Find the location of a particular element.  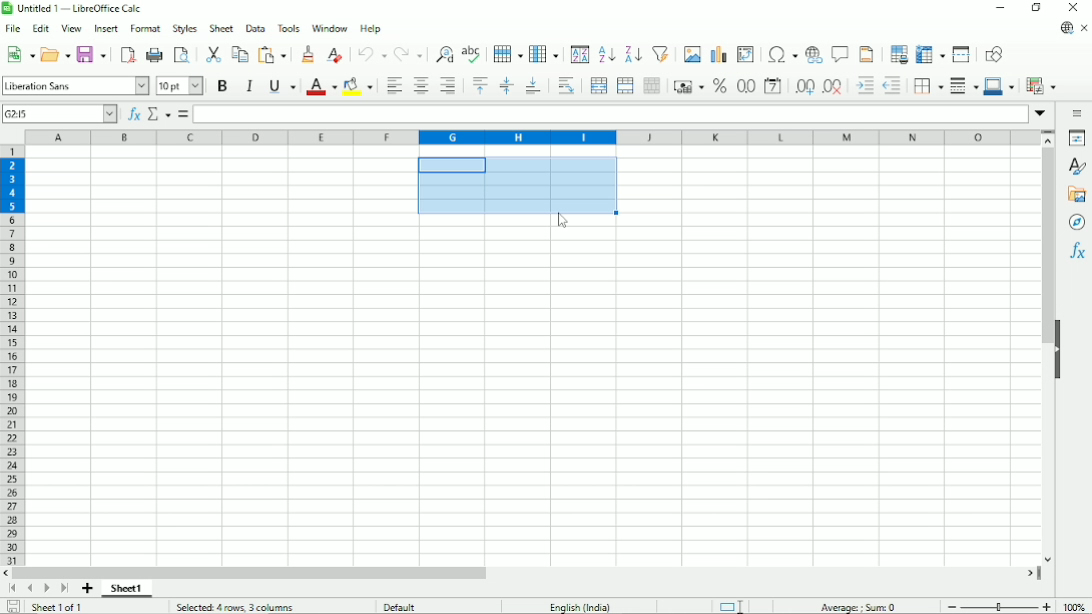

Clone formatting is located at coordinates (308, 55).